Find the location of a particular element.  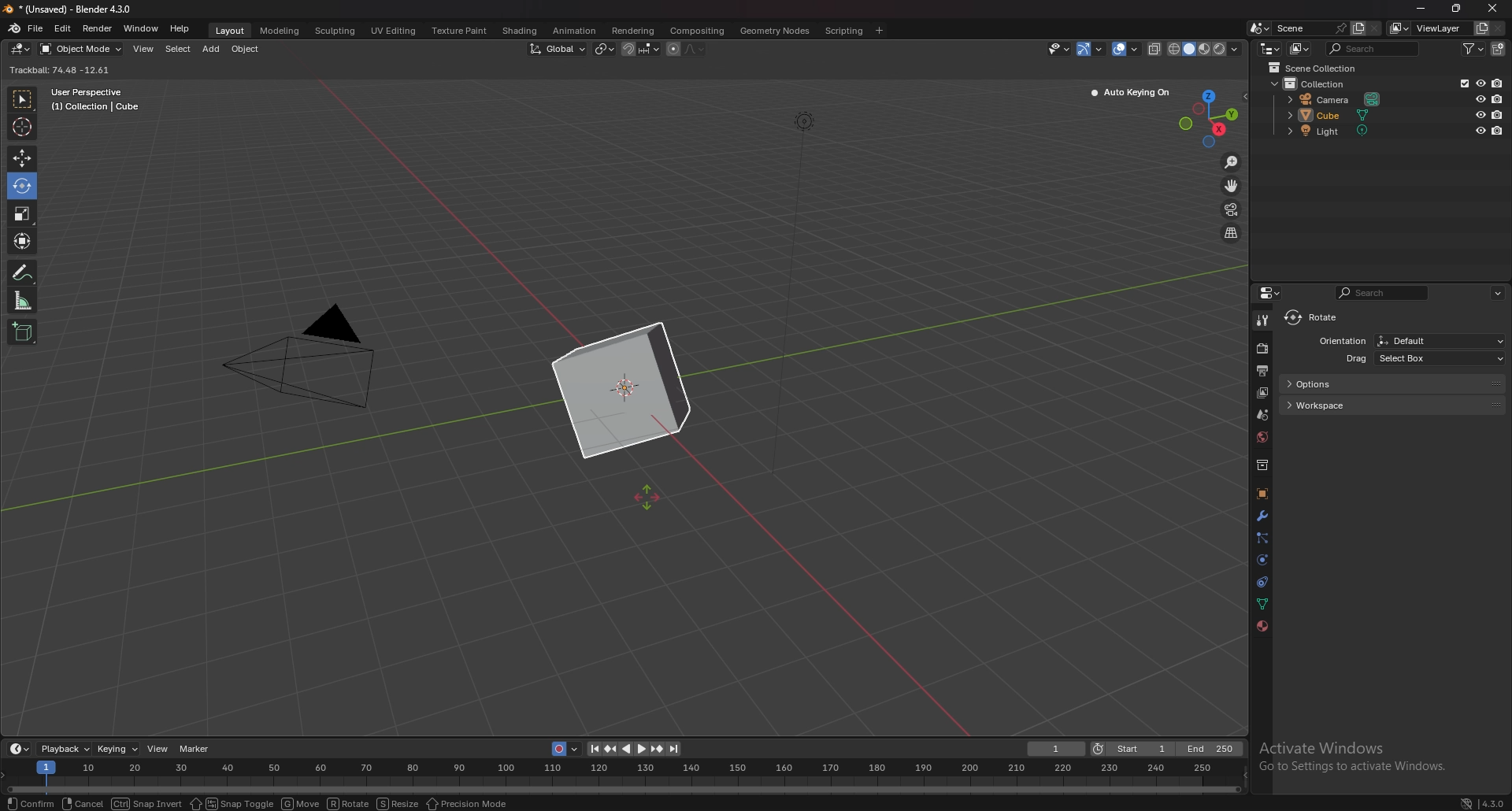

End 250 is located at coordinates (1210, 748).